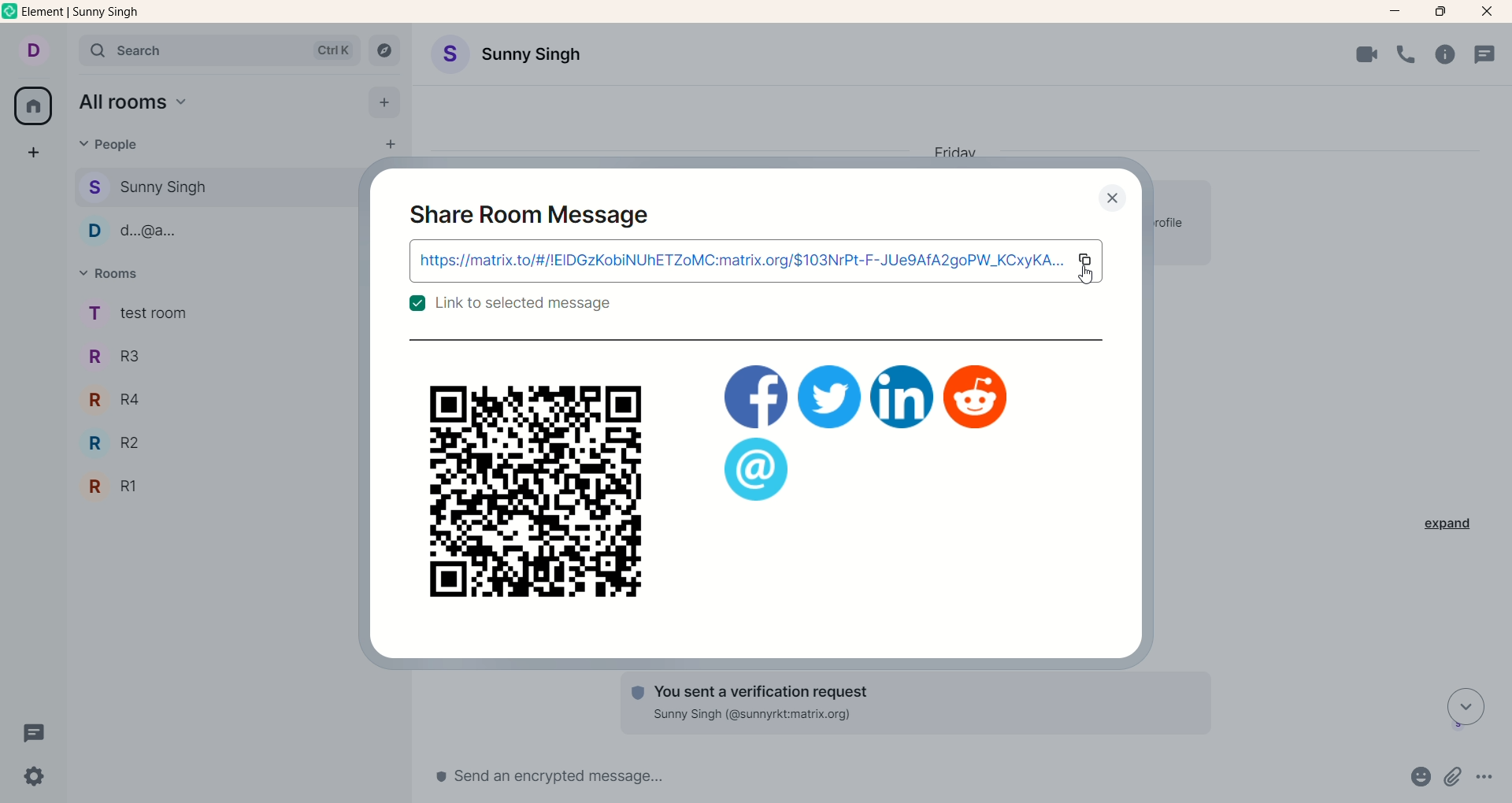 This screenshot has width=1512, height=803. Describe the element at coordinates (169, 185) in the screenshot. I see `people` at that location.